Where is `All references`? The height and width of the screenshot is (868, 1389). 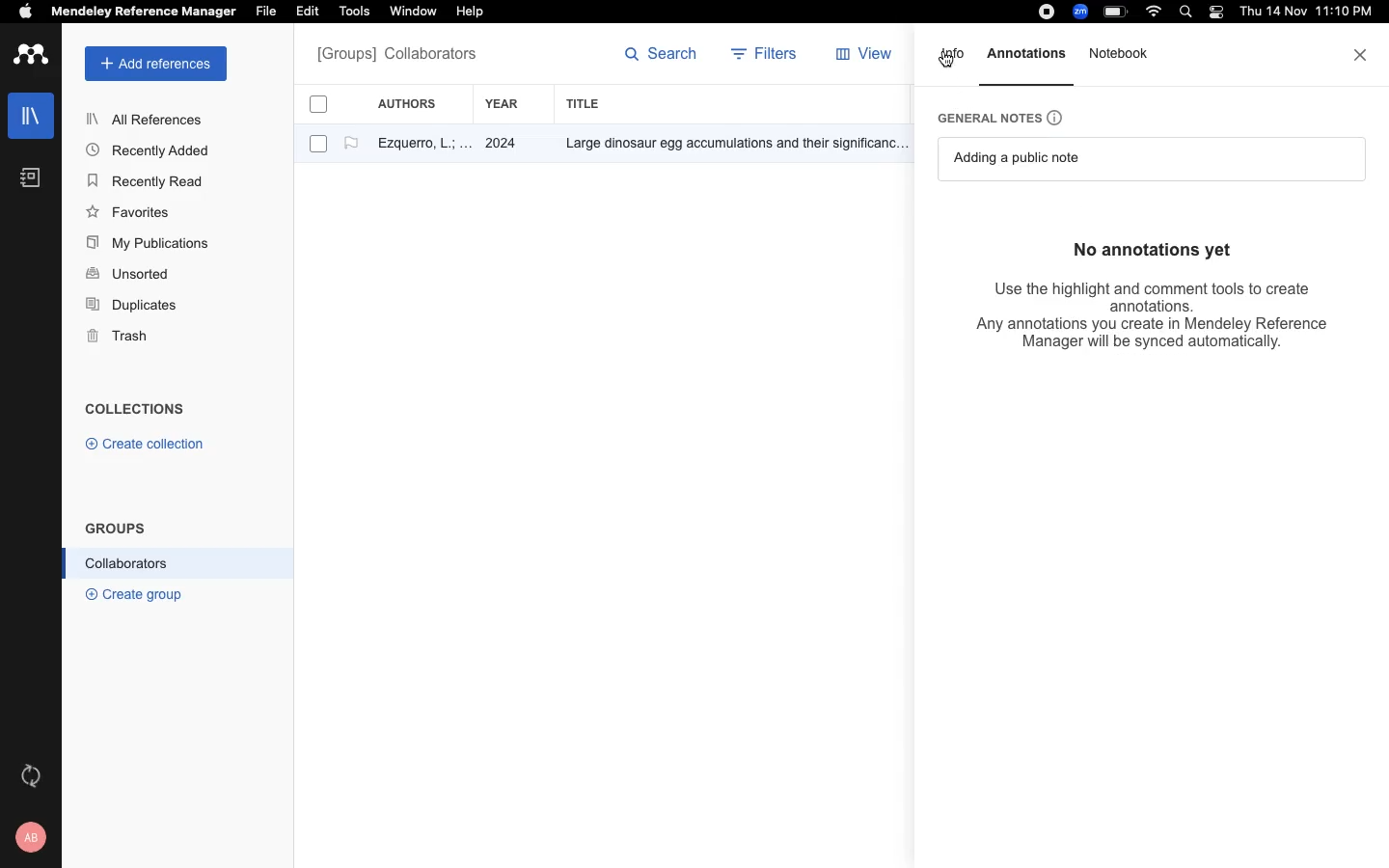 All references is located at coordinates (396, 56).